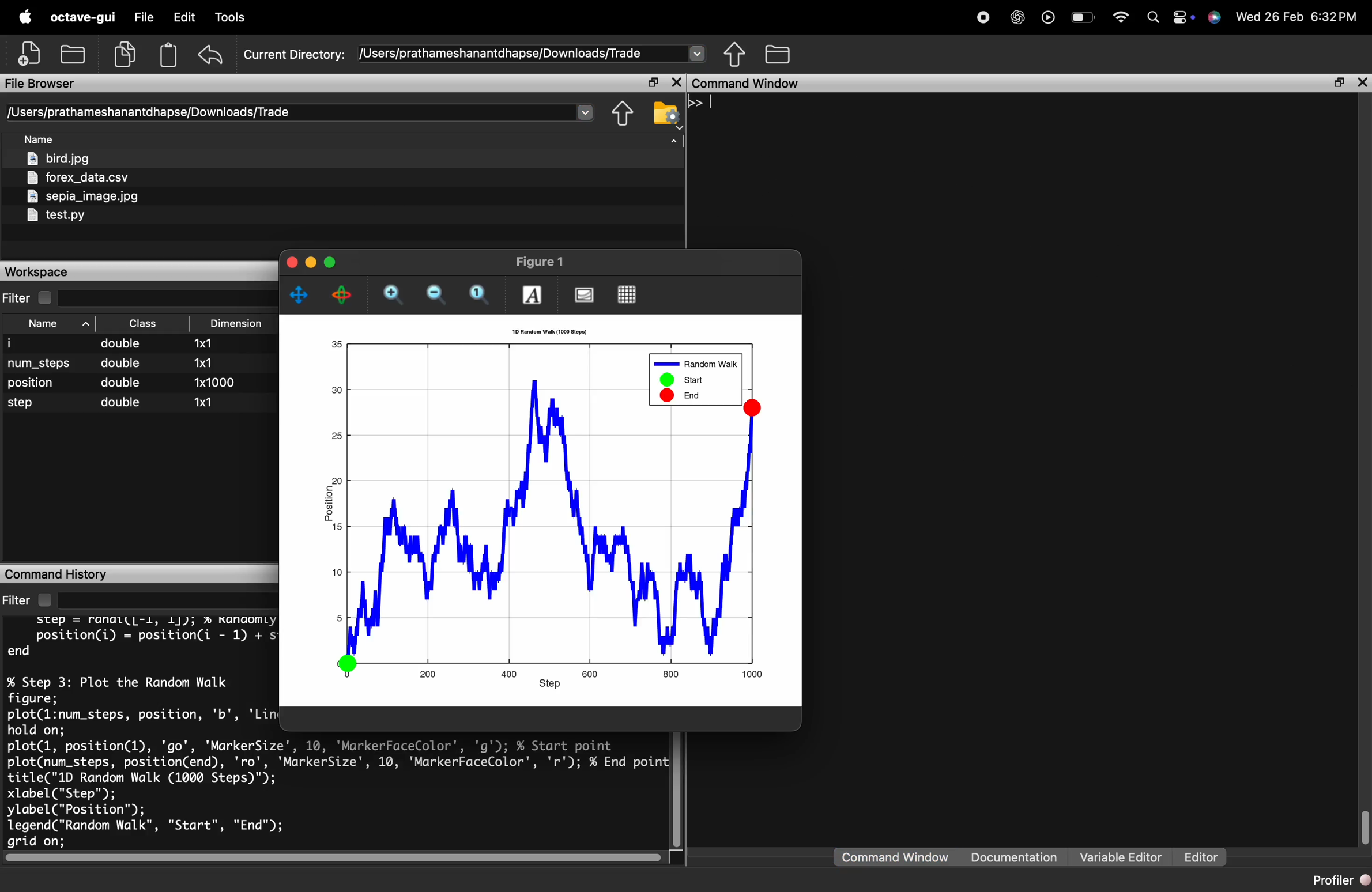  I want to click on action center, so click(1185, 18).